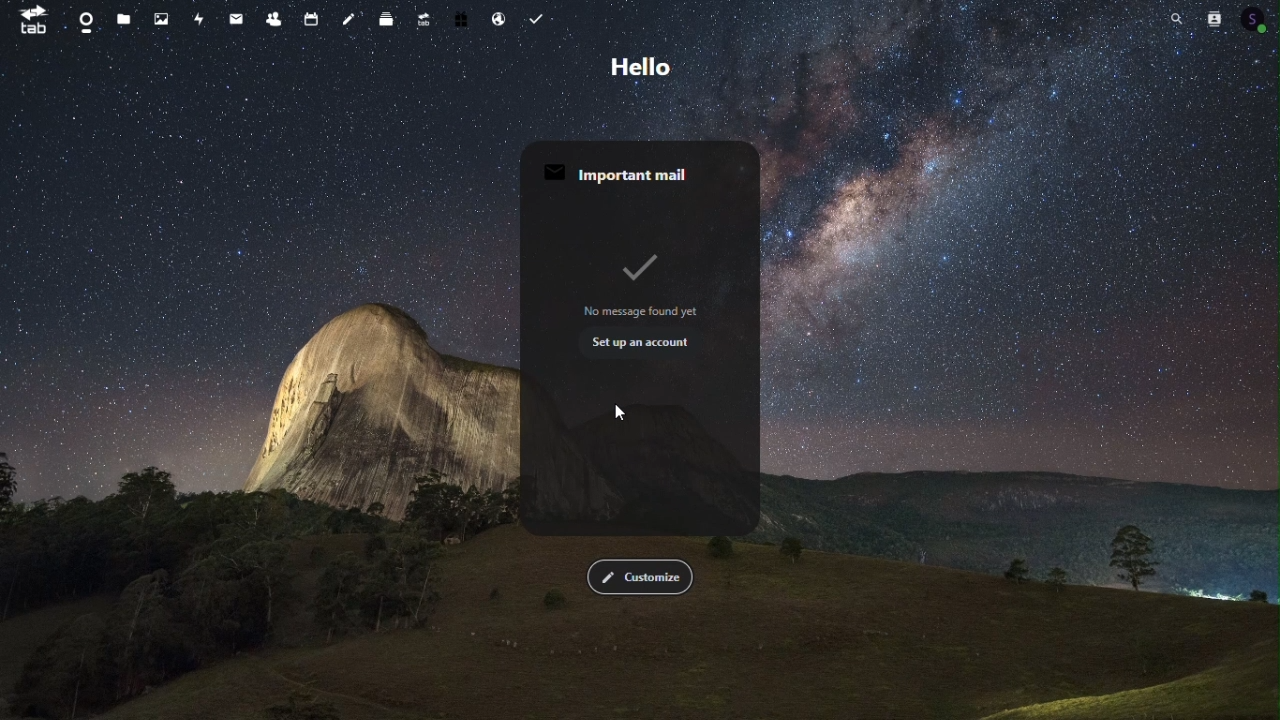  I want to click on Free trial, so click(456, 18).